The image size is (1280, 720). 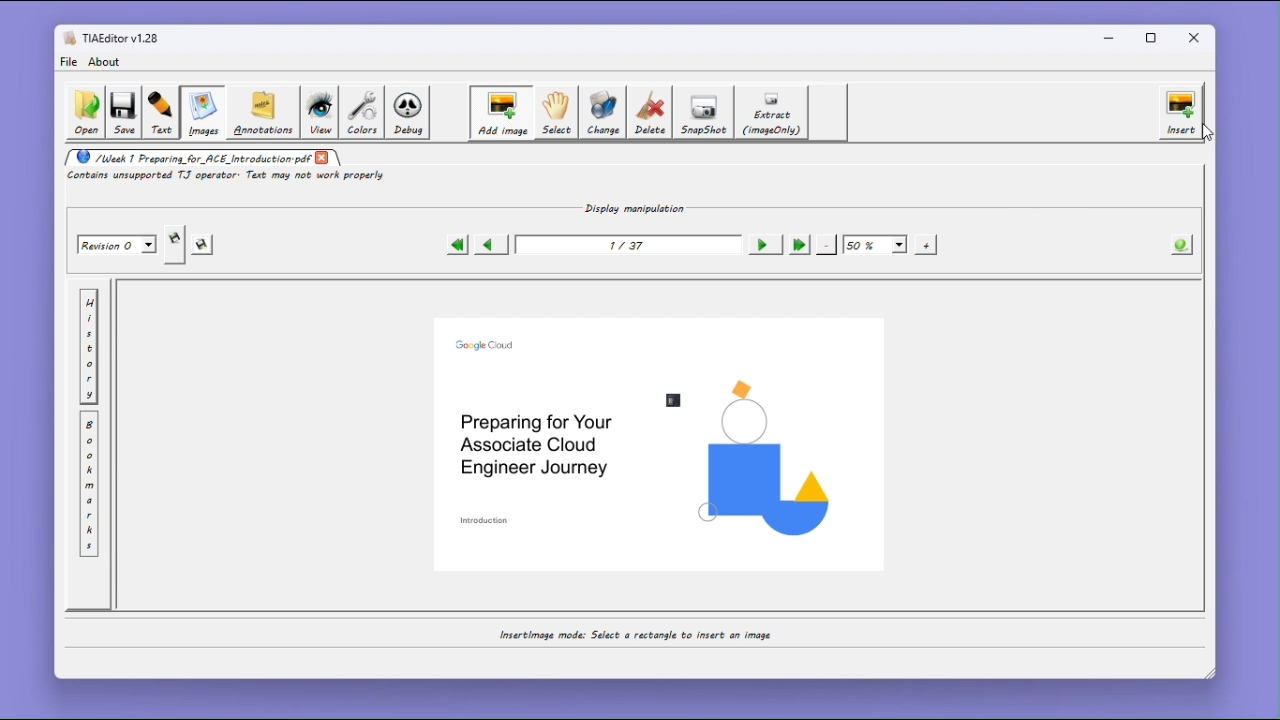 I want to click on Extract (image only), so click(x=773, y=113).